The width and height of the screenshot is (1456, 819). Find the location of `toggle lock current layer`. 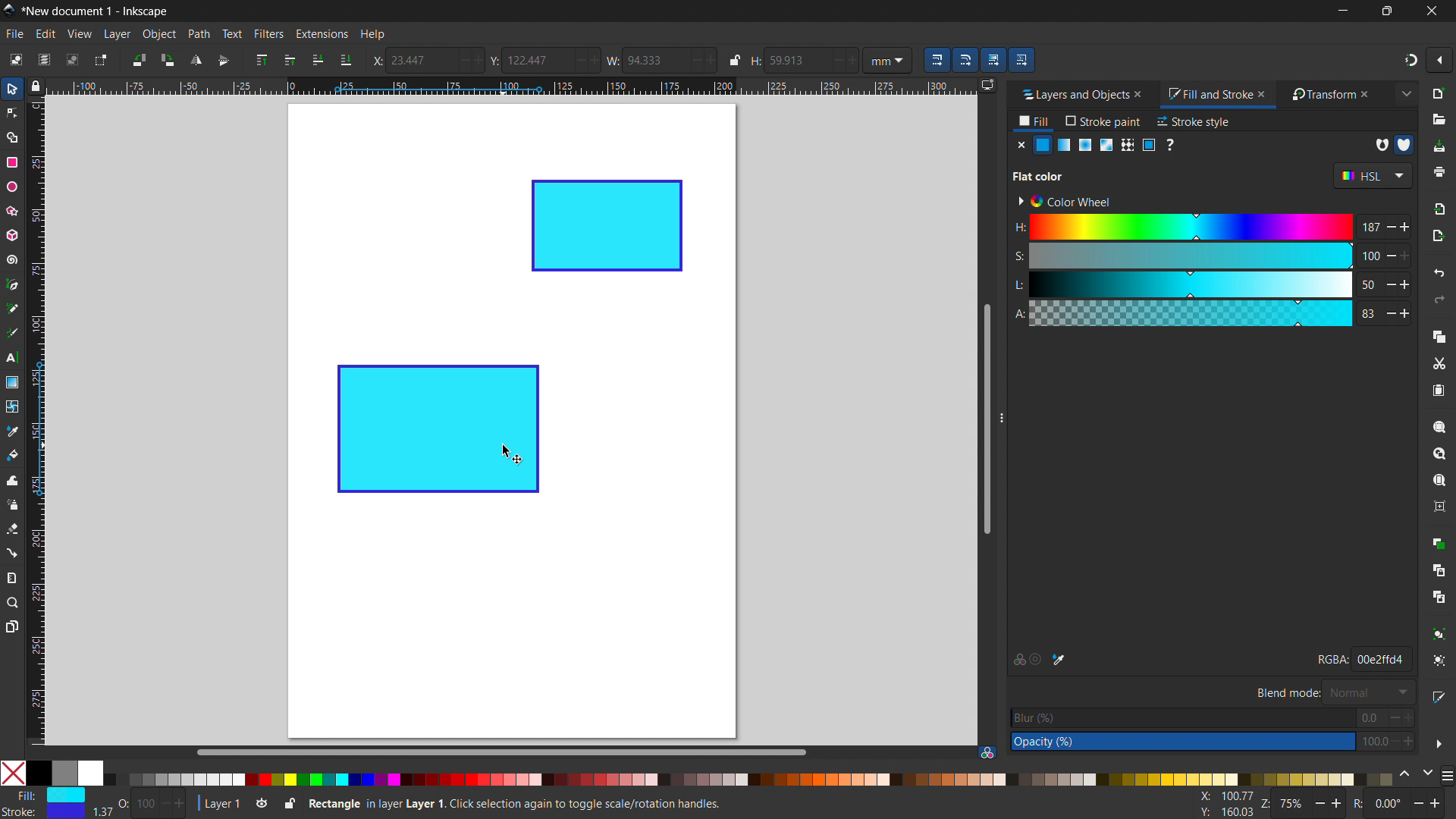

toggle lock current layer is located at coordinates (289, 802).